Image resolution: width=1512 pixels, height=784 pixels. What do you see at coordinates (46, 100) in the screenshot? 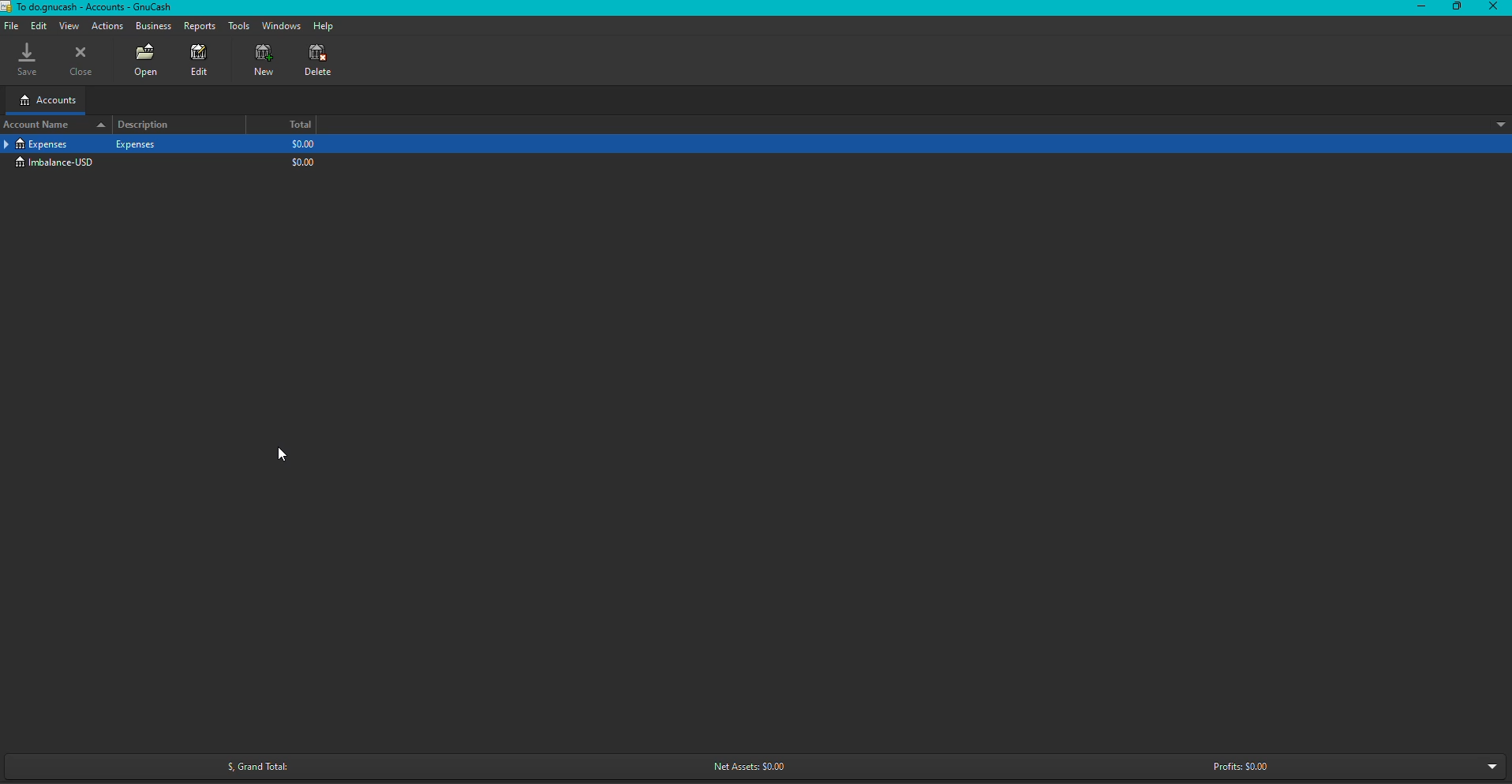
I see `Accounts` at bounding box center [46, 100].